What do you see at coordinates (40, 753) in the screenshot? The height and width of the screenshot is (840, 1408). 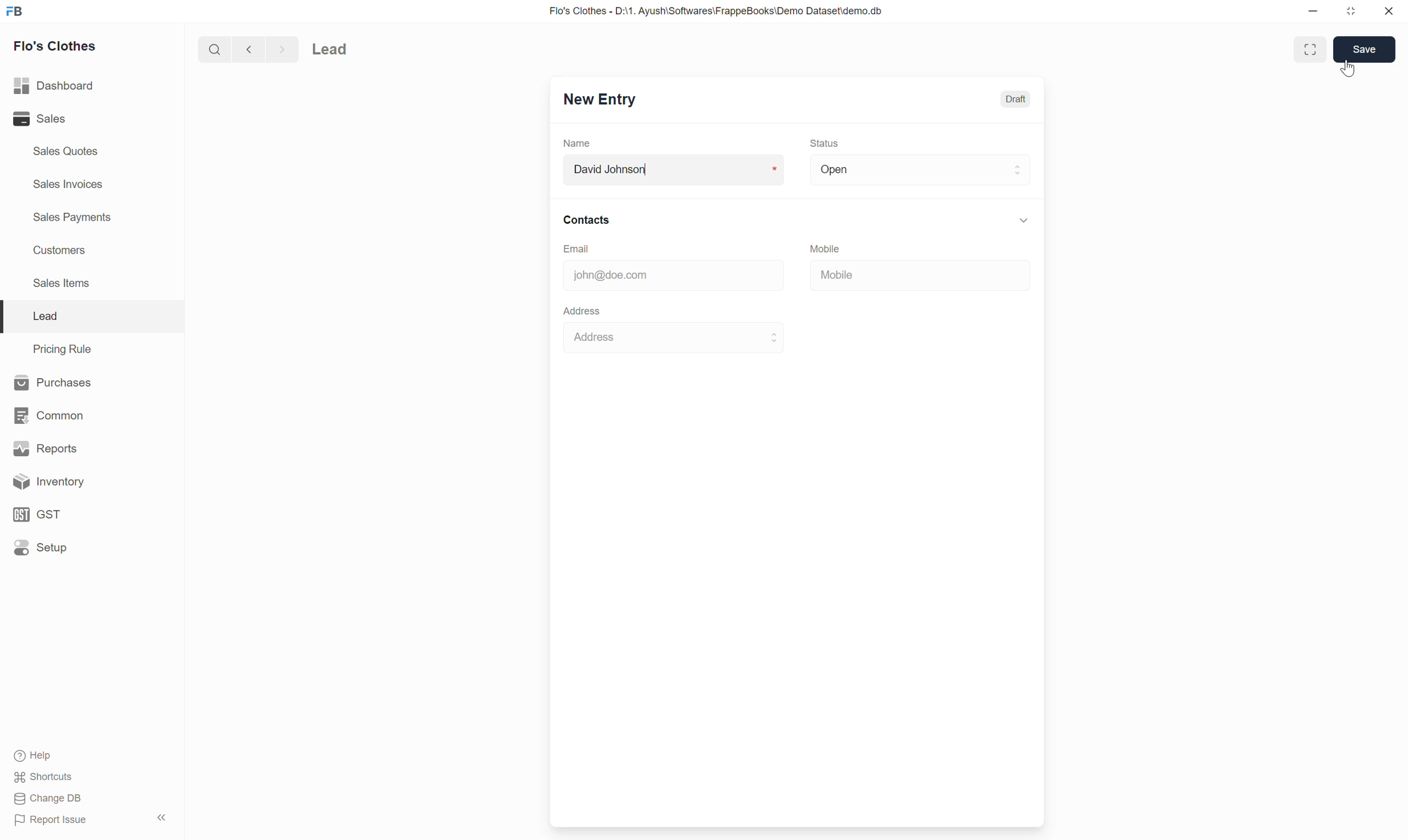 I see `(®) Help` at bounding box center [40, 753].